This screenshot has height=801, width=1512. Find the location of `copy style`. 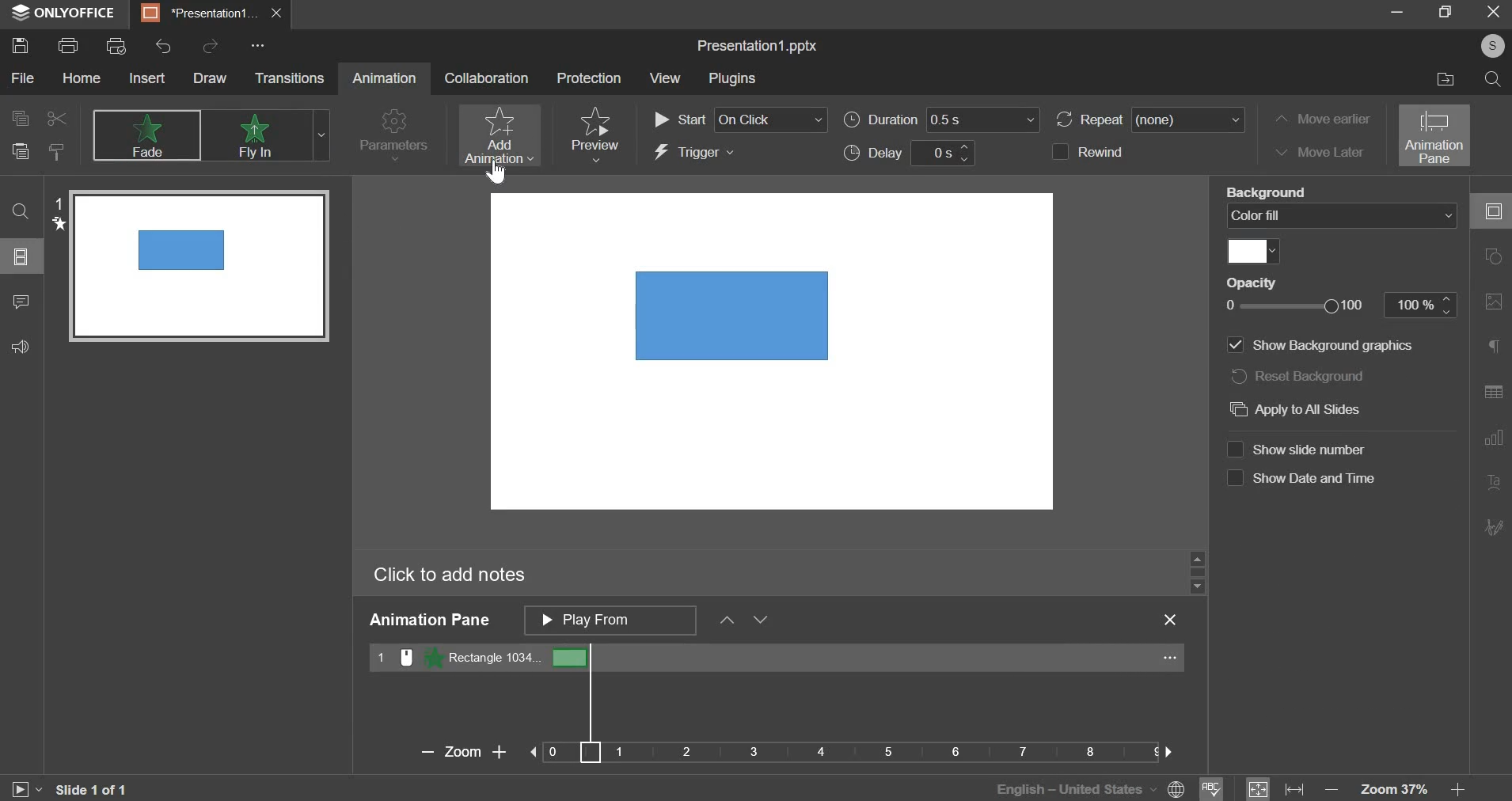

copy style is located at coordinates (59, 152).